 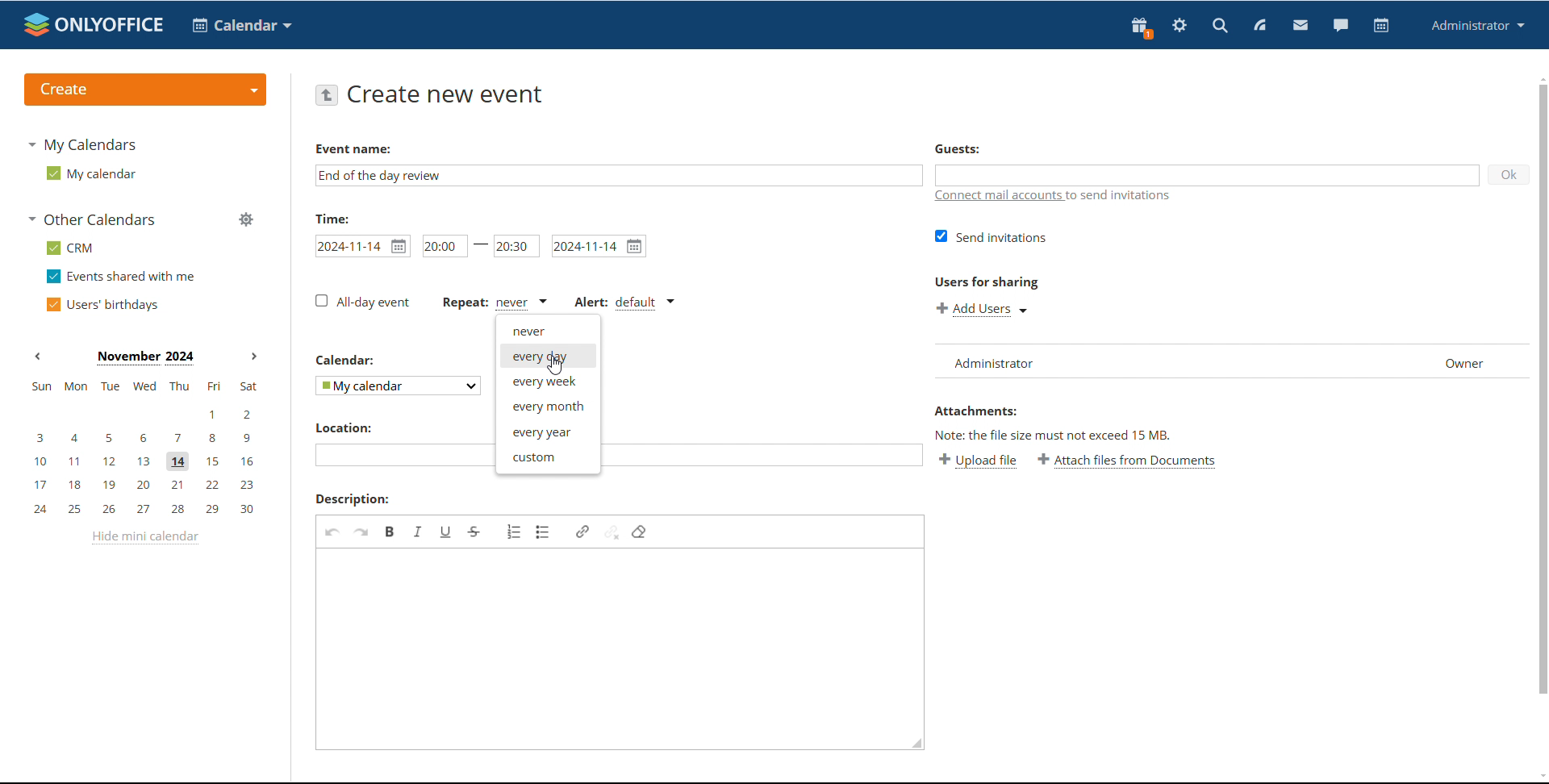 What do you see at coordinates (1543, 389) in the screenshot?
I see `scrollbar` at bounding box center [1543, 389].